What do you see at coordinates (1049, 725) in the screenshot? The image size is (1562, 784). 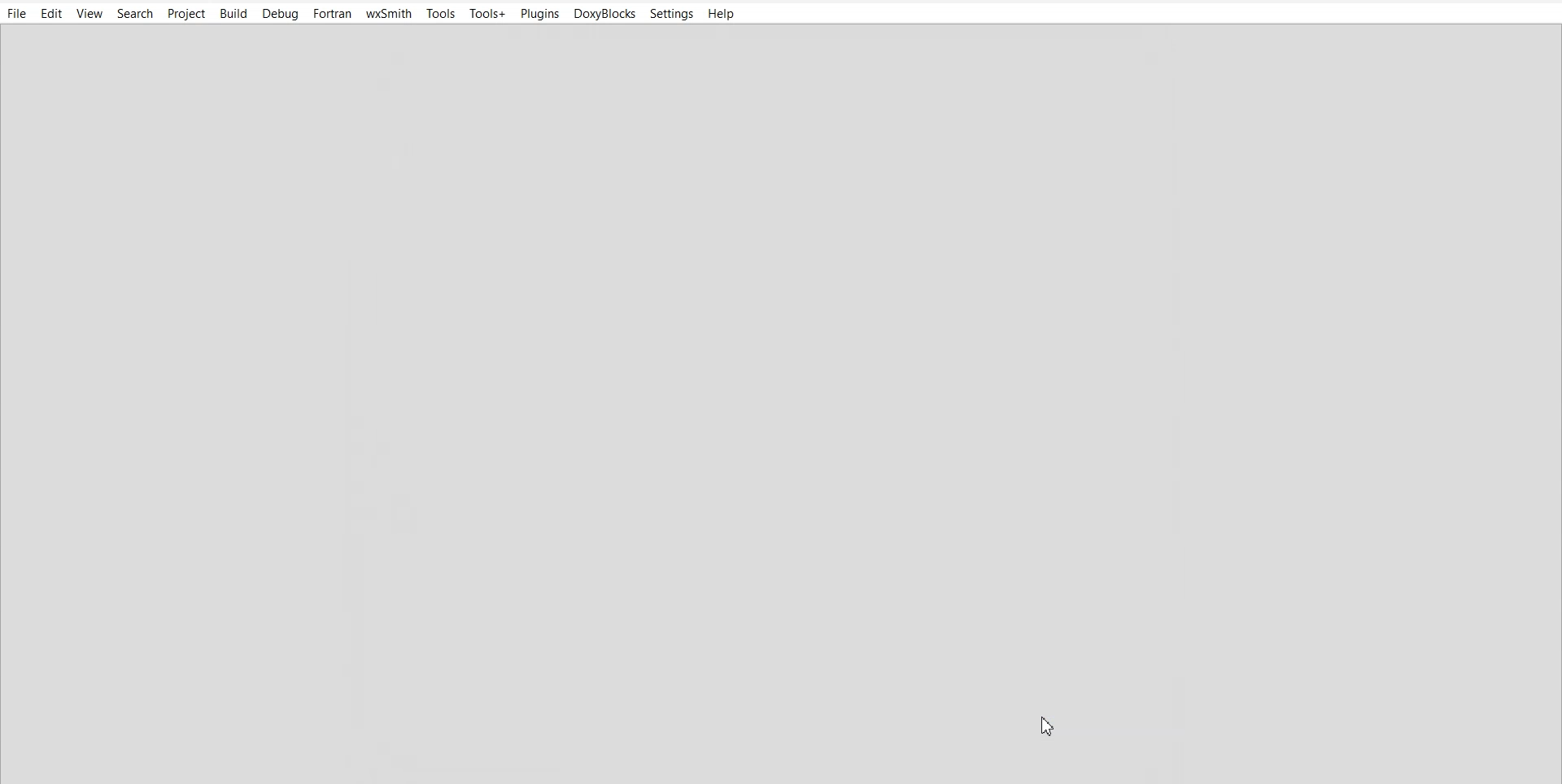 I see `Cursor` at bounding box center [1049, 725].